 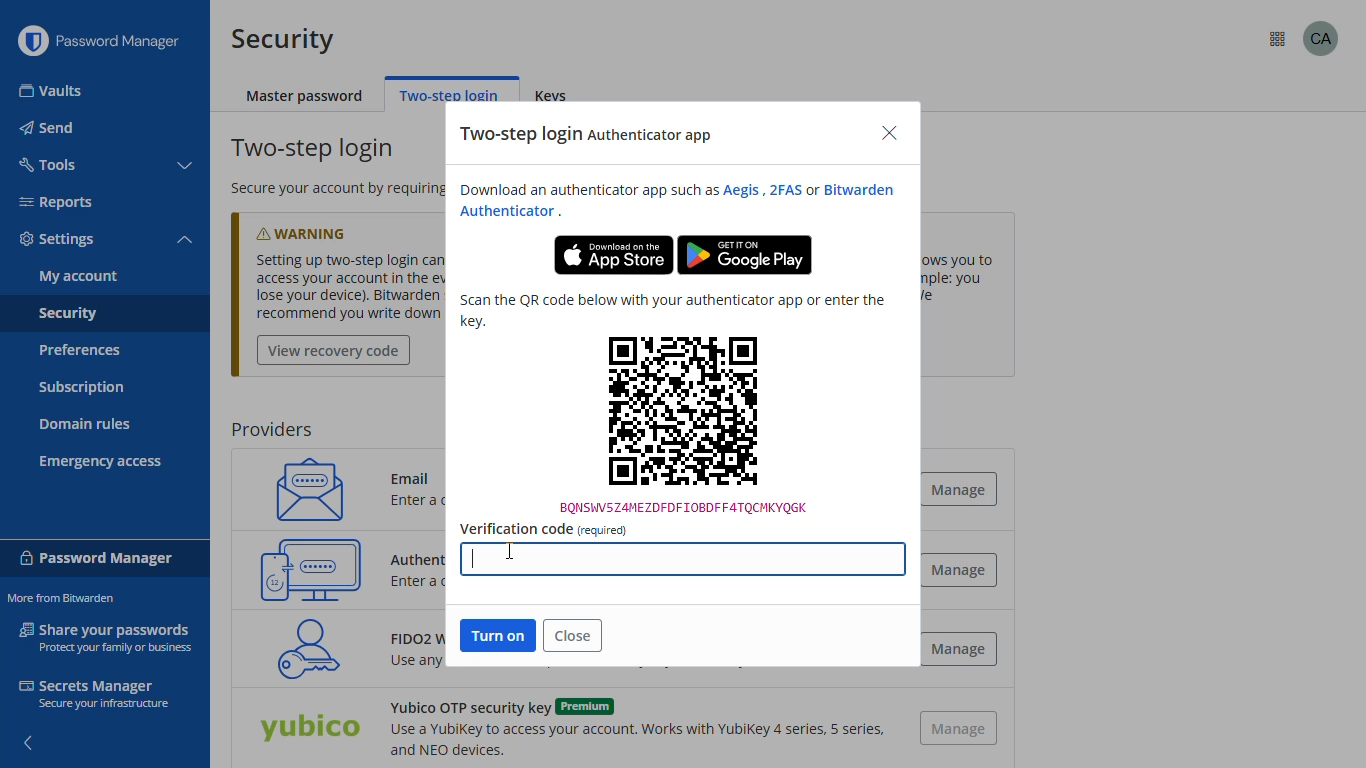 I want to click on Setting up two-step login can permanently lock you out of your Bitwarden account. A recovery code allows you to access your account in the event that you can no longer se your normal two-step login provider (example: youlose your device). Bitwarden support will not be able to assist you if you lose access to your account. Werecommend you write down or print the recovery code and keep it in a safe place., so click(x=337, y=287).